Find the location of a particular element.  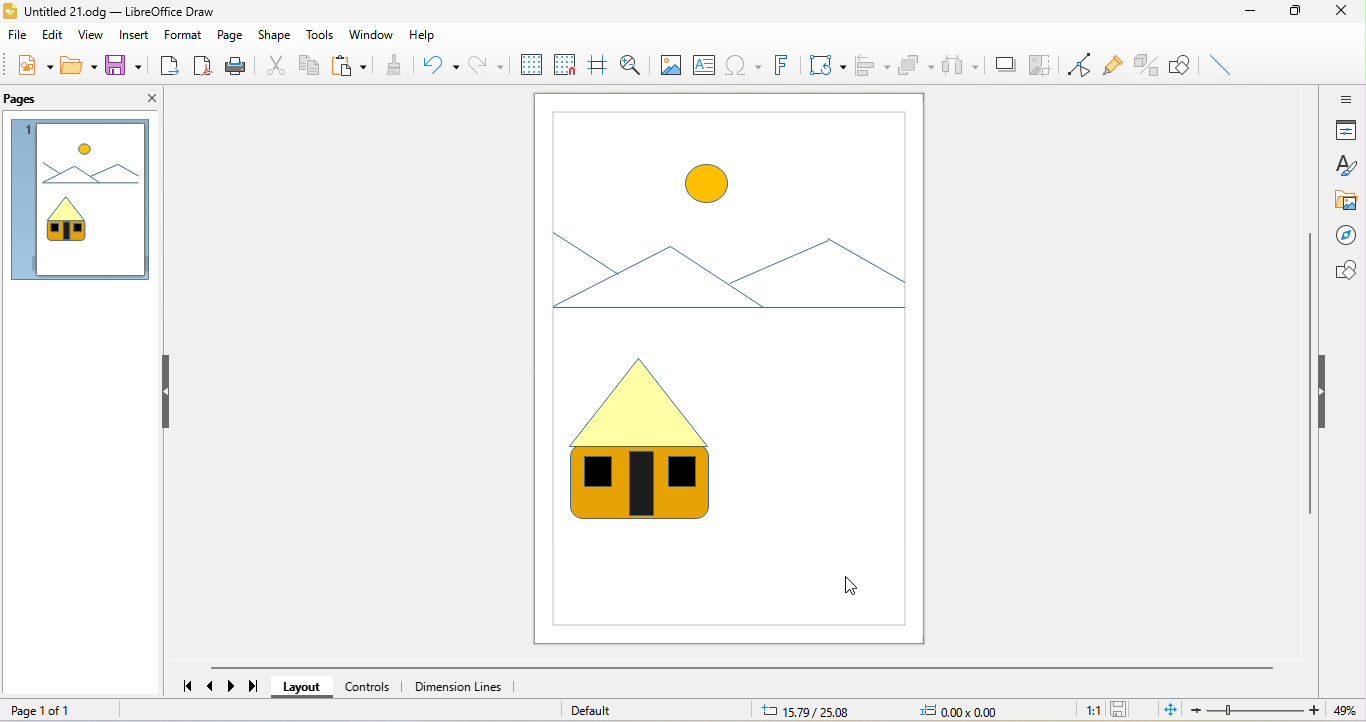

zoom is located at coordinates (1279, 710).